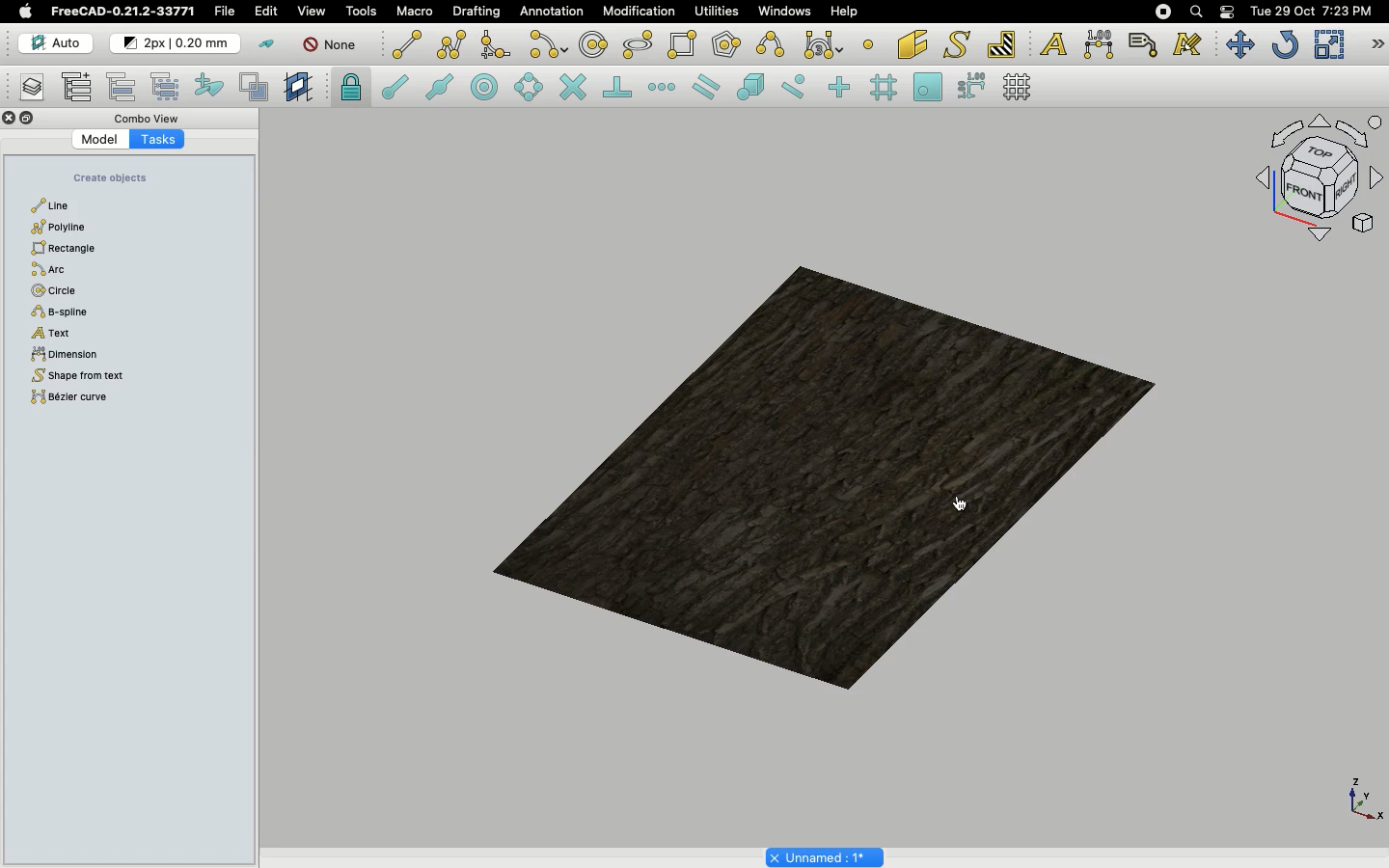 The height and width of the screenshot is (868, 1389). What do you see at coordinates (63, 248) in the screenshot?
I see `Rectangle` at bounding box center [63, 248].